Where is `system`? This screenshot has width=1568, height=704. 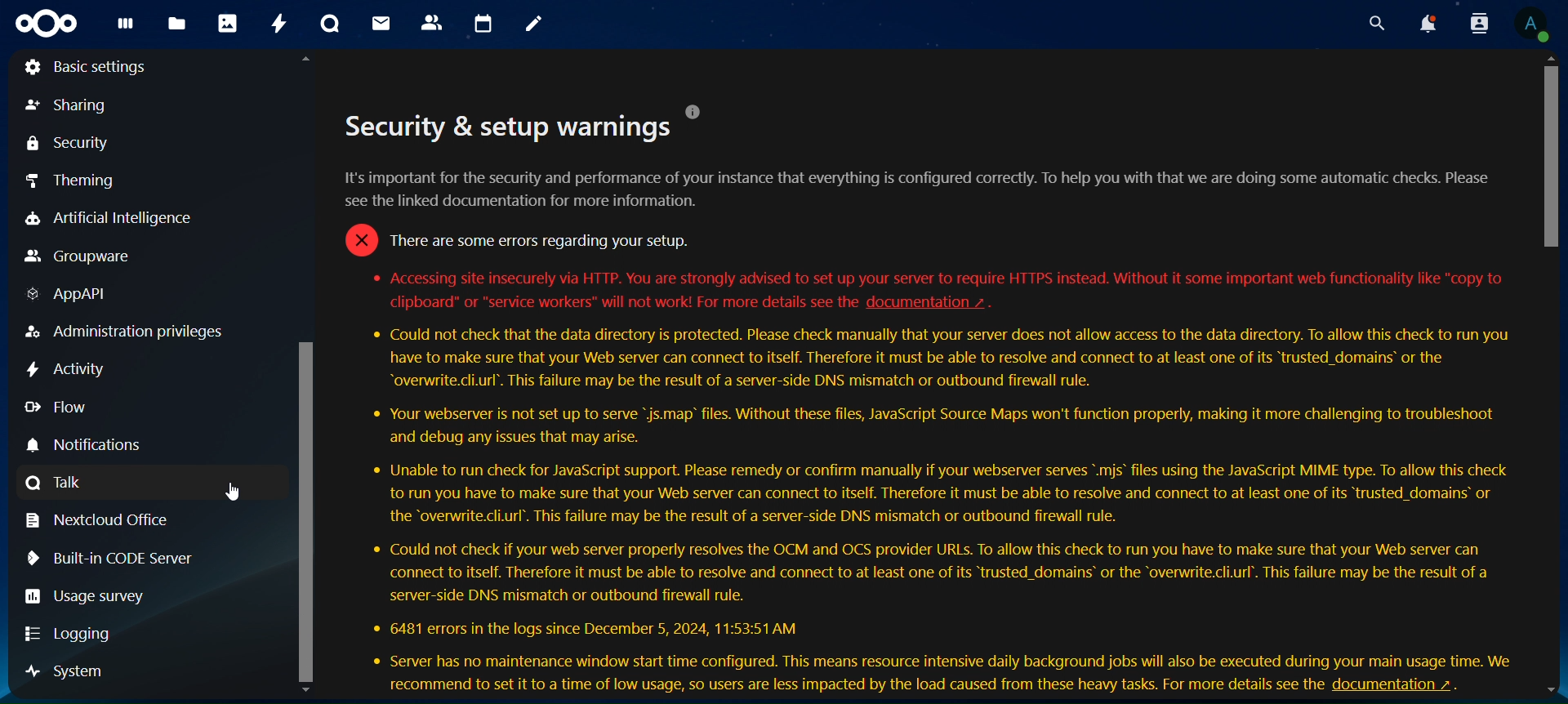 system is located at coordinates (71, 673).